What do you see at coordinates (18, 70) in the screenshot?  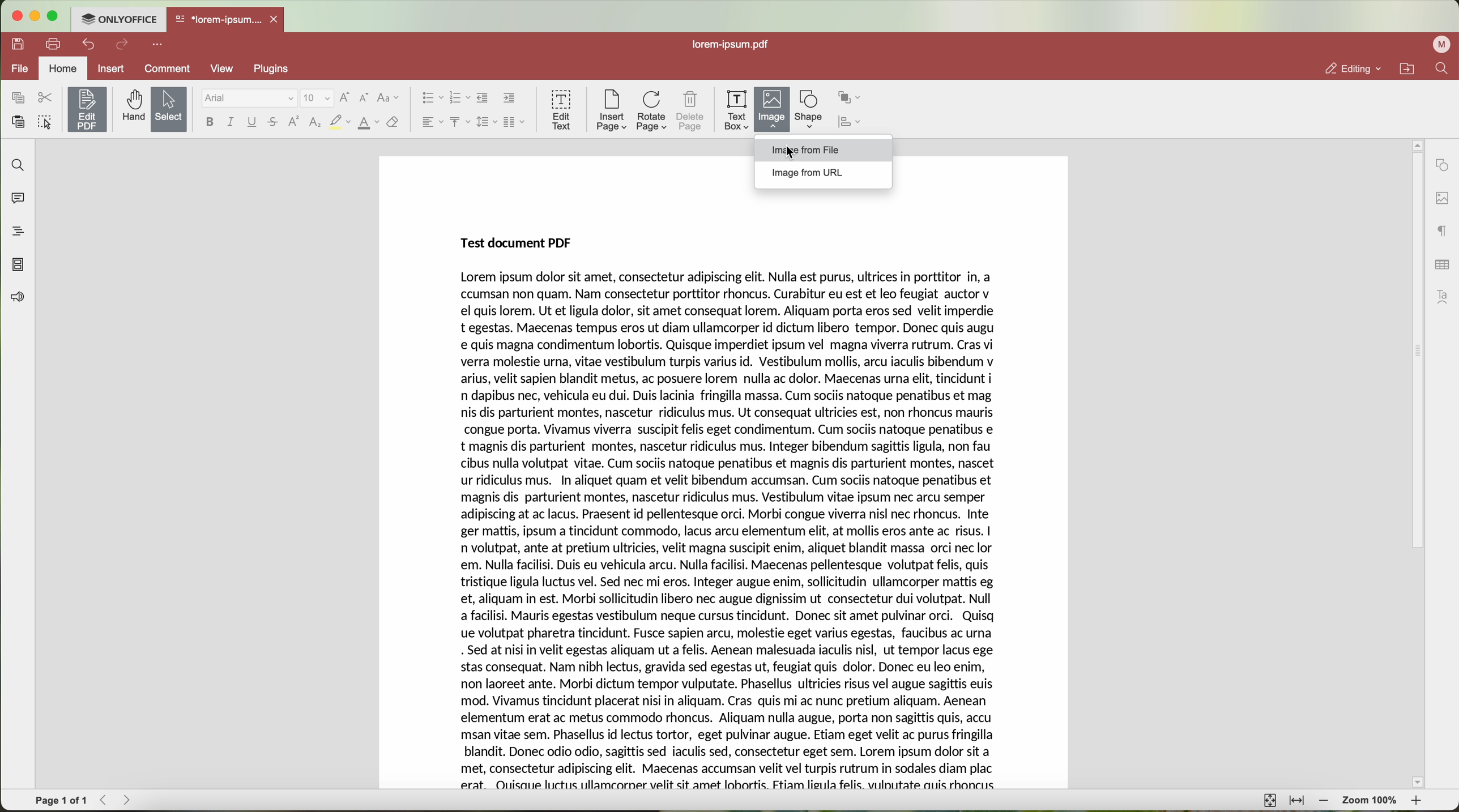 I see `file` at bounding box center [18, 70].